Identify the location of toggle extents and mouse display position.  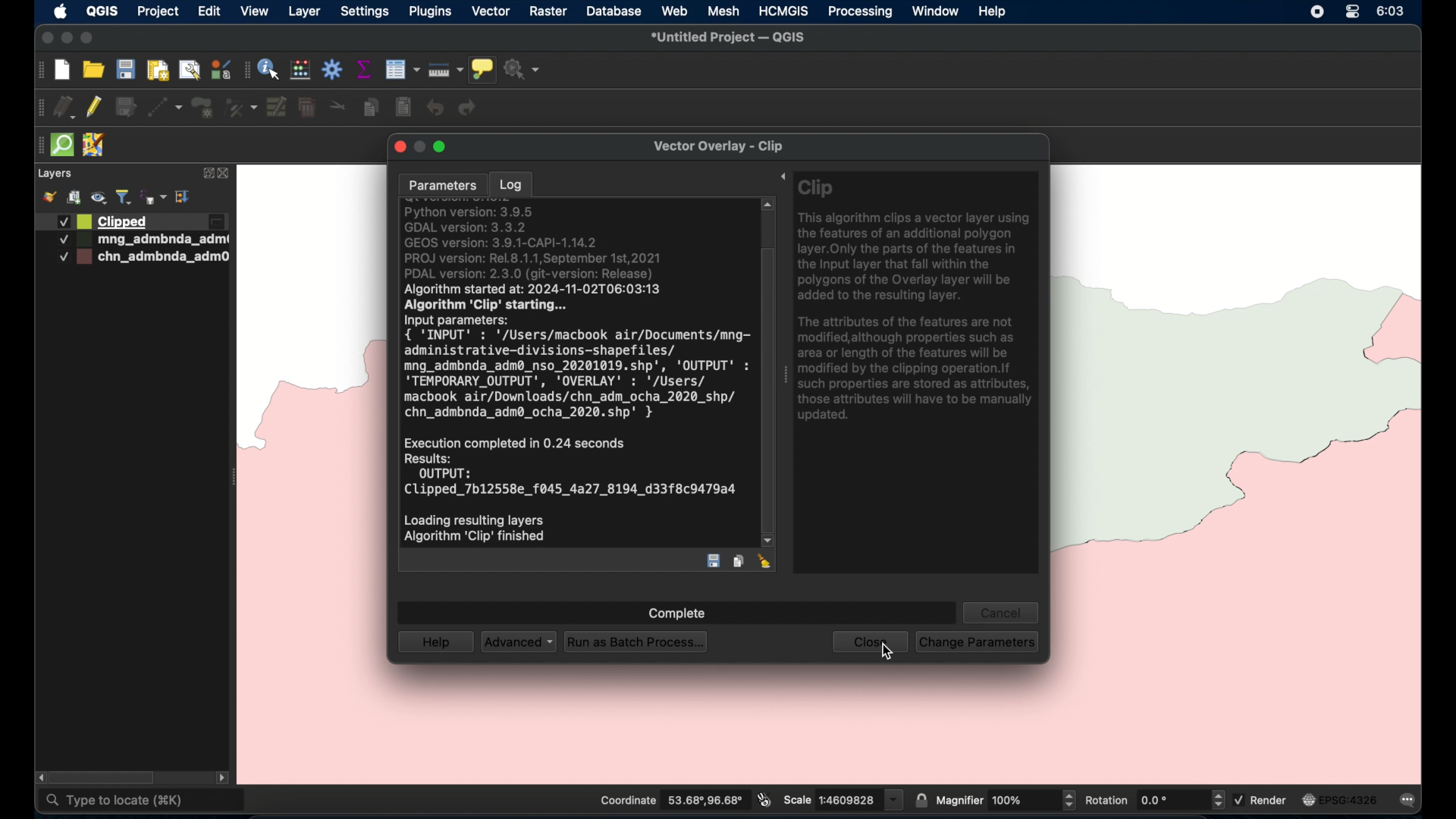
(764, 799).